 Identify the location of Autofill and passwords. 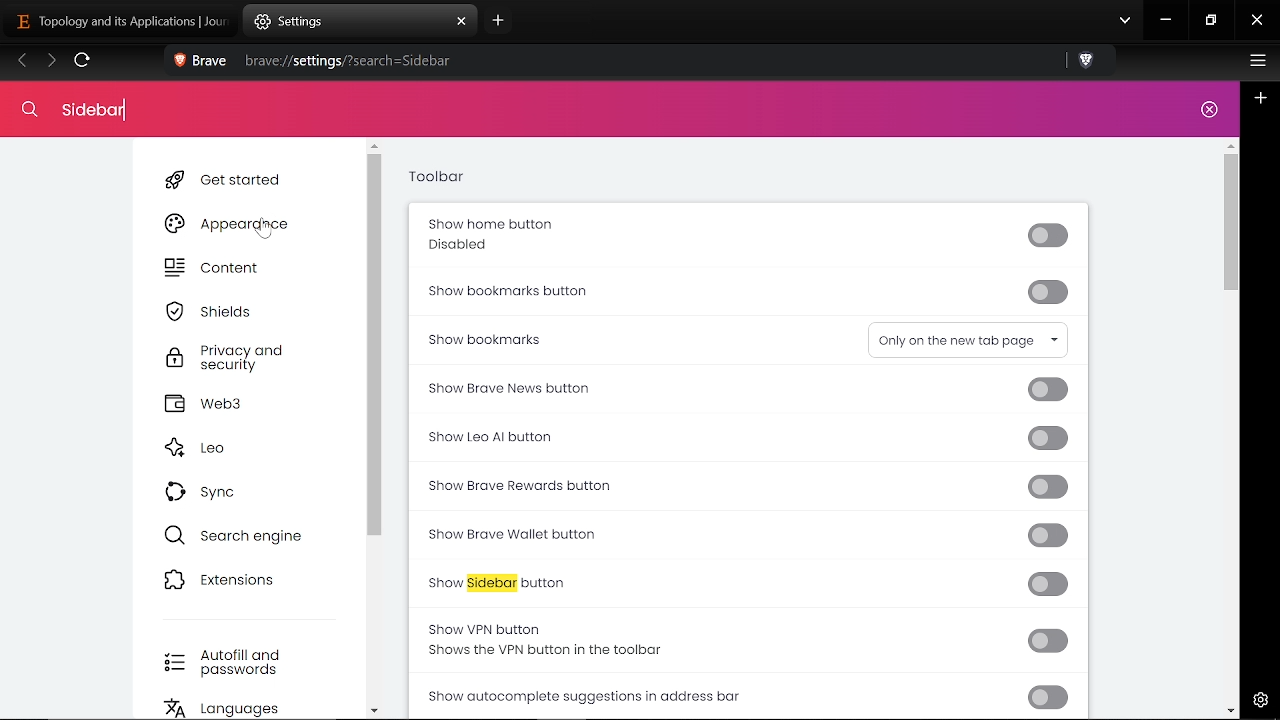
(230, 663).